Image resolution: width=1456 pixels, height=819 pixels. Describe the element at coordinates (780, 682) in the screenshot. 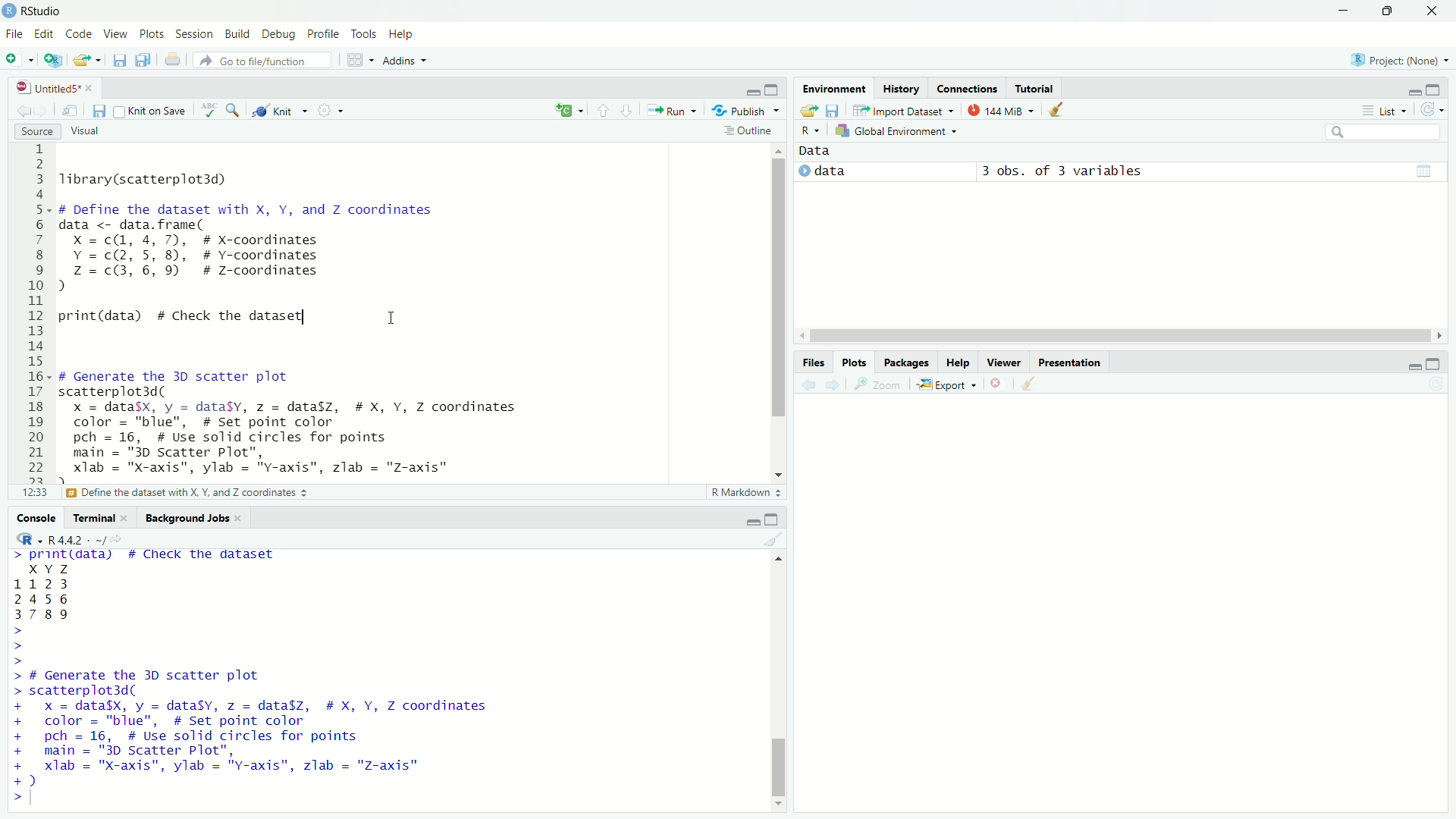

I see `scrollbar` at that location.